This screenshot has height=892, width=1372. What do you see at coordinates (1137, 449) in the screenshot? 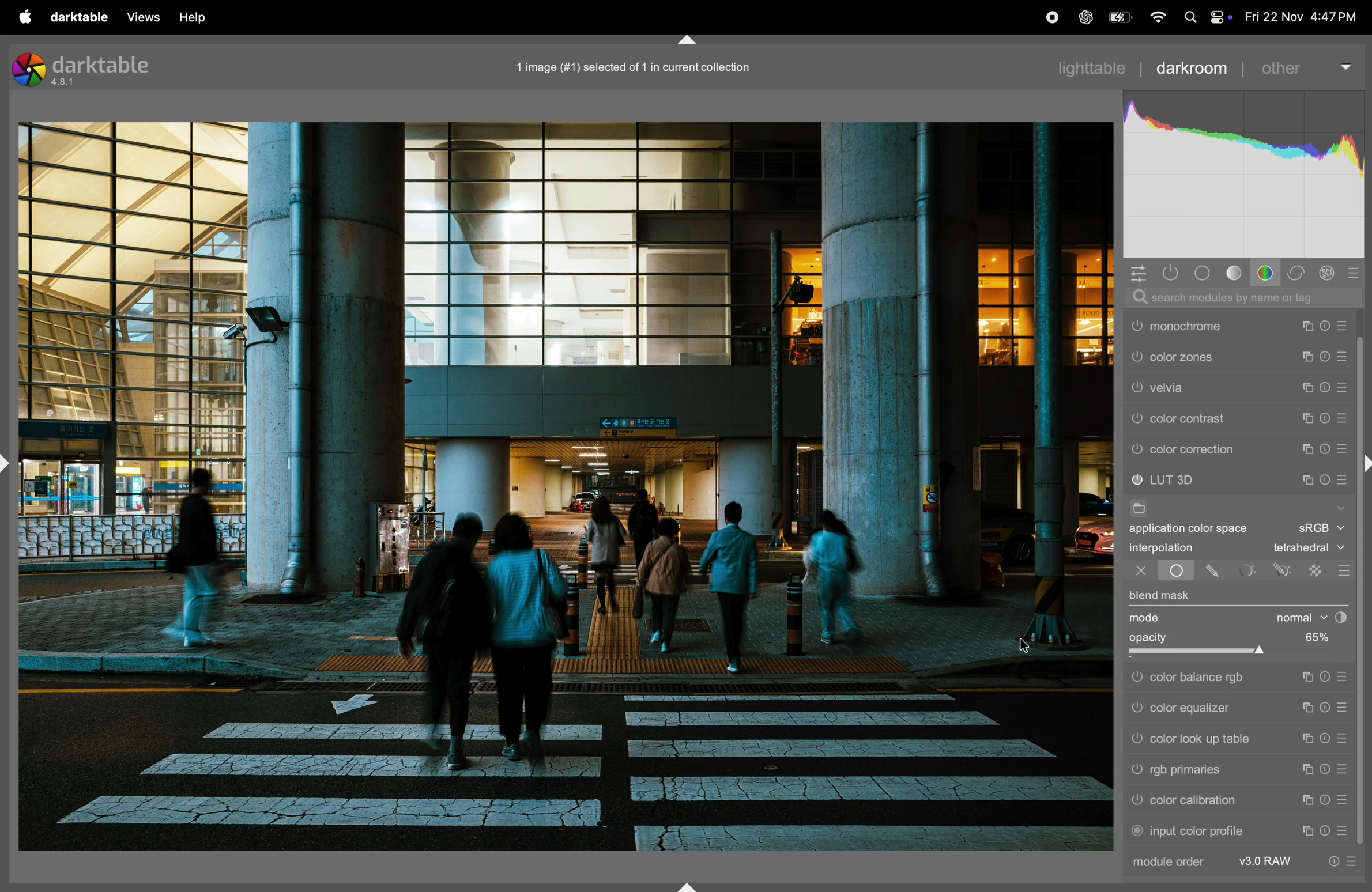
I see `color correction switched off` at bounding box center [1137, 449].